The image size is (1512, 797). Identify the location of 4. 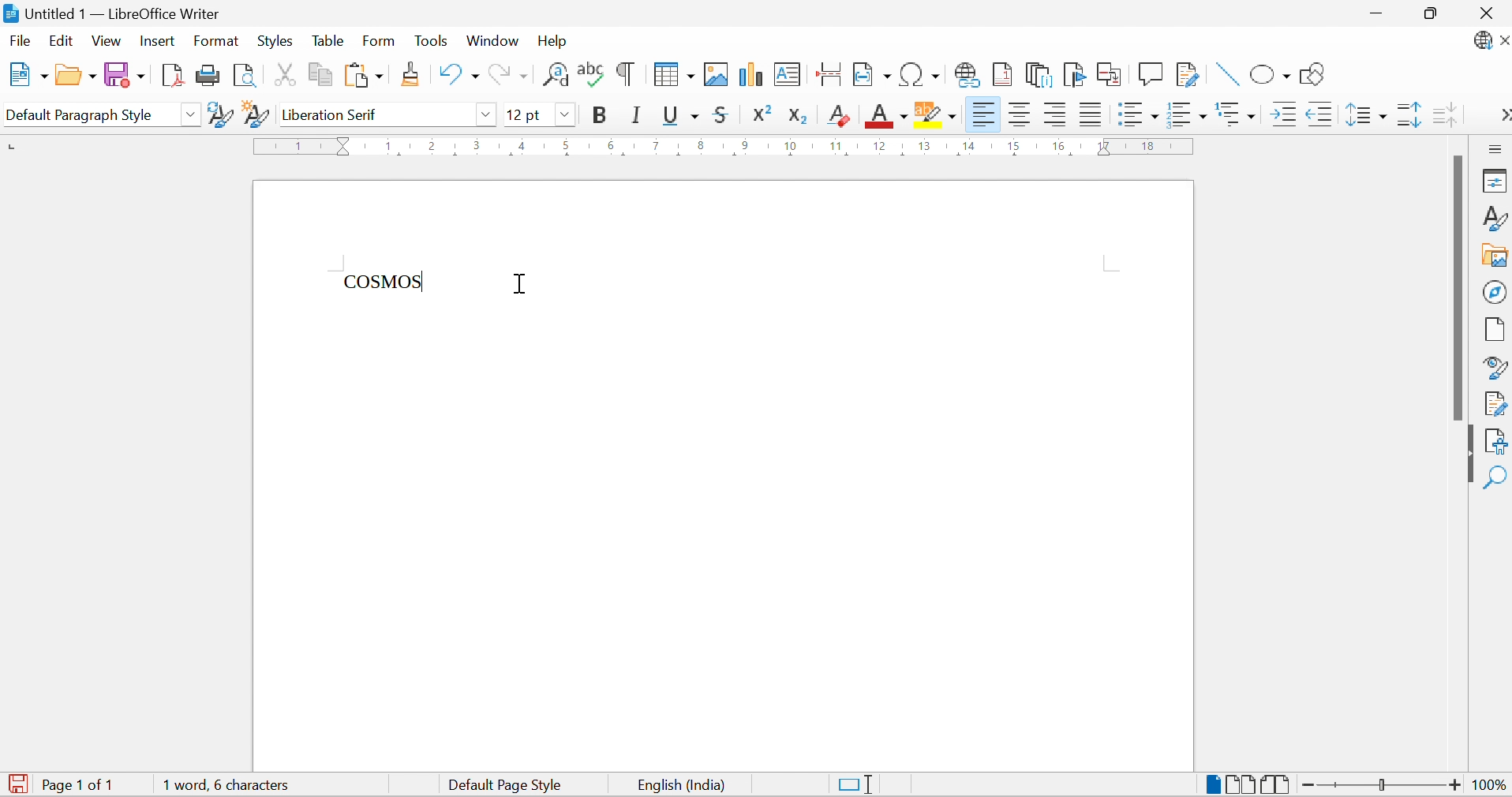
(523, 145).